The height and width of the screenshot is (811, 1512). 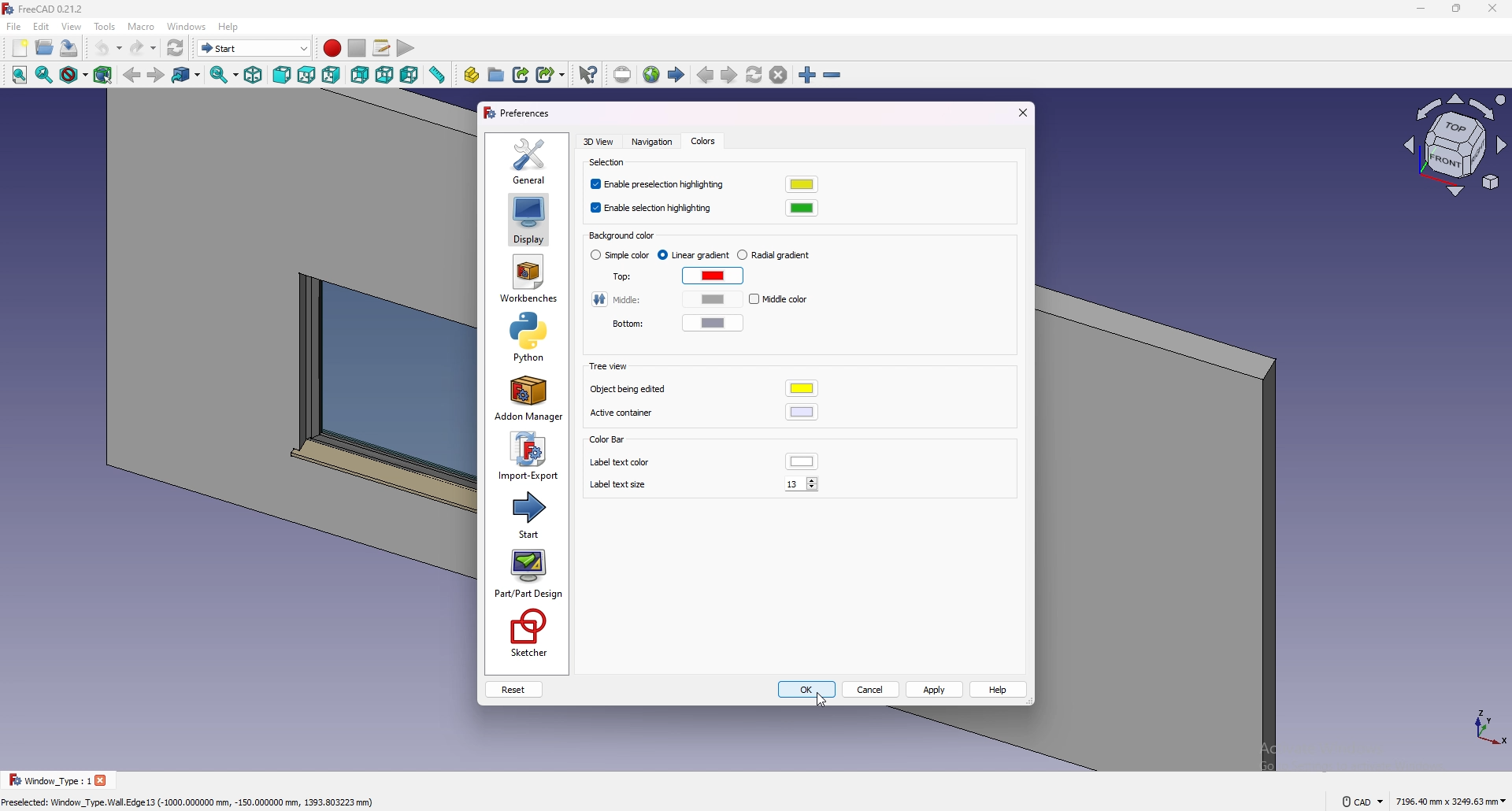 What do you see at coordinates (410, 75) in the screenshot?
I see `left` at bounding box center [410, 75].